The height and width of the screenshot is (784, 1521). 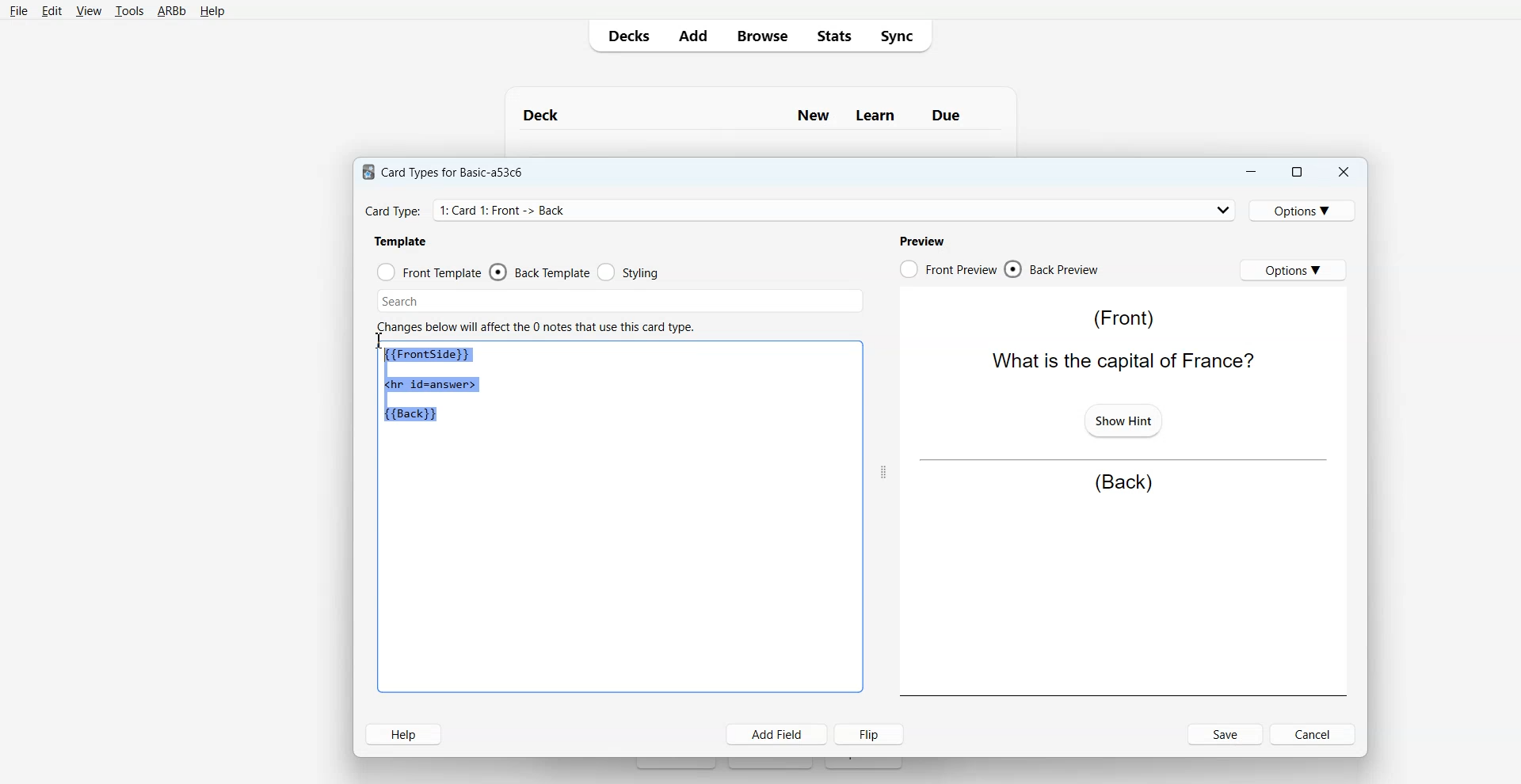 I want to click on Back Template, so click(x=539, y=272).